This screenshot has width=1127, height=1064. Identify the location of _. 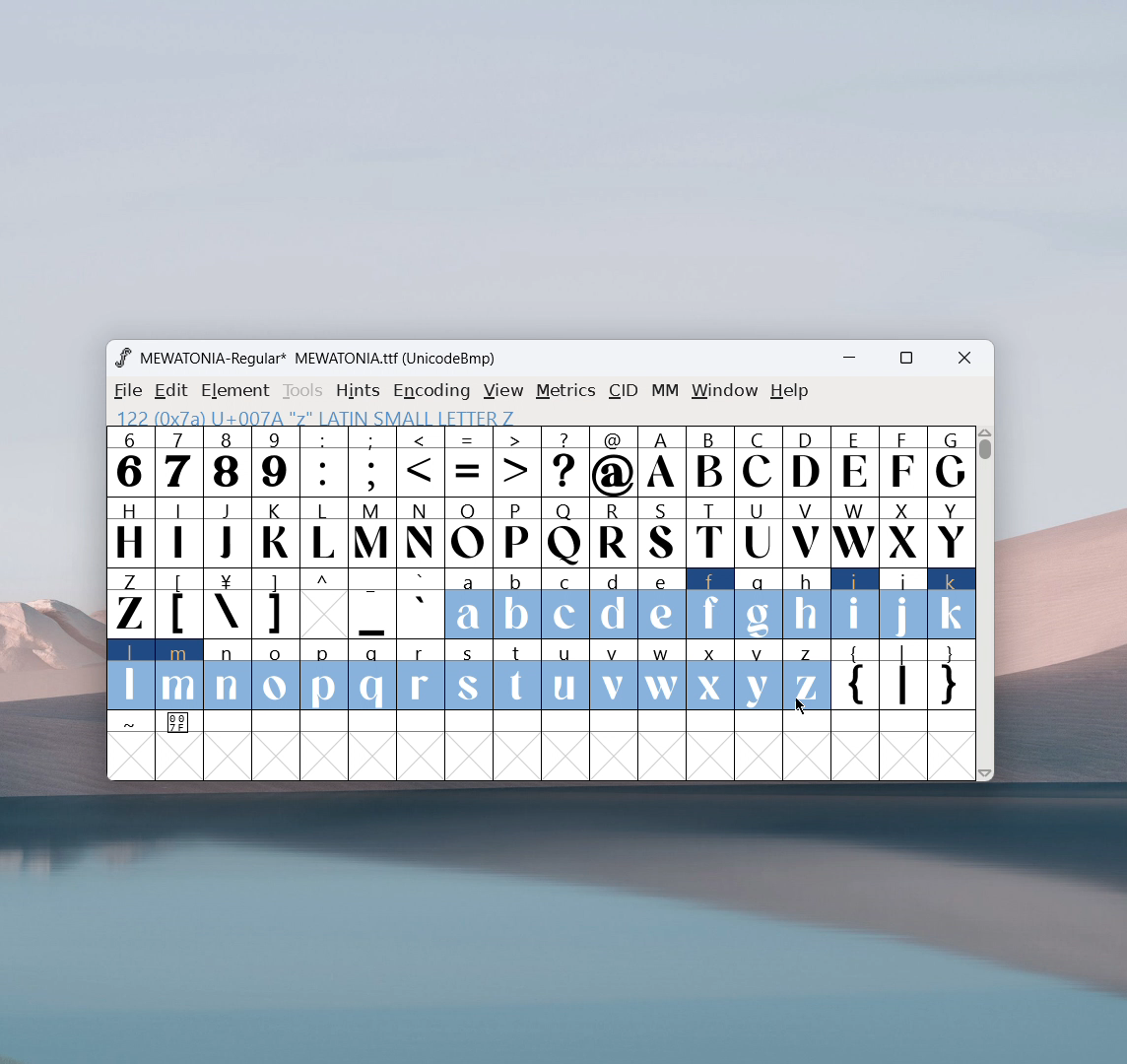
(372, 604).